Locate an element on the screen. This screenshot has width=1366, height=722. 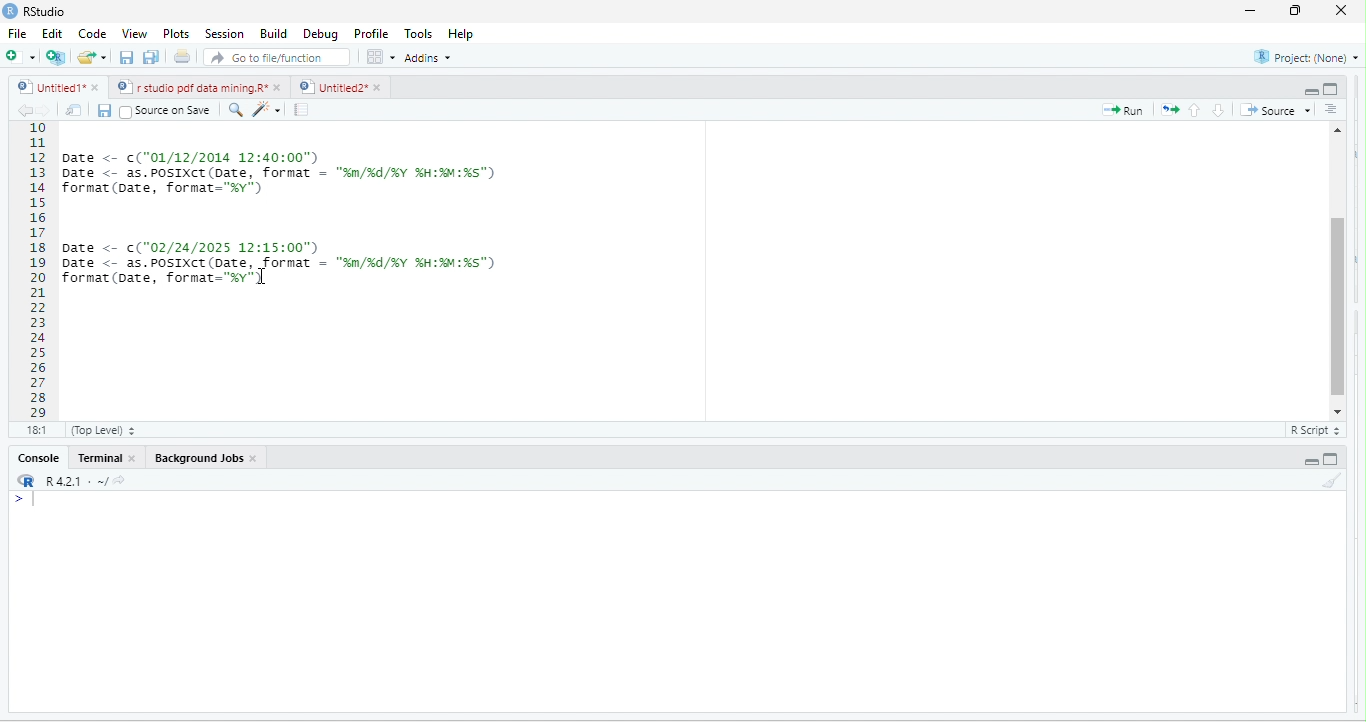
 cursor movement is located at coordinates (255, 279).